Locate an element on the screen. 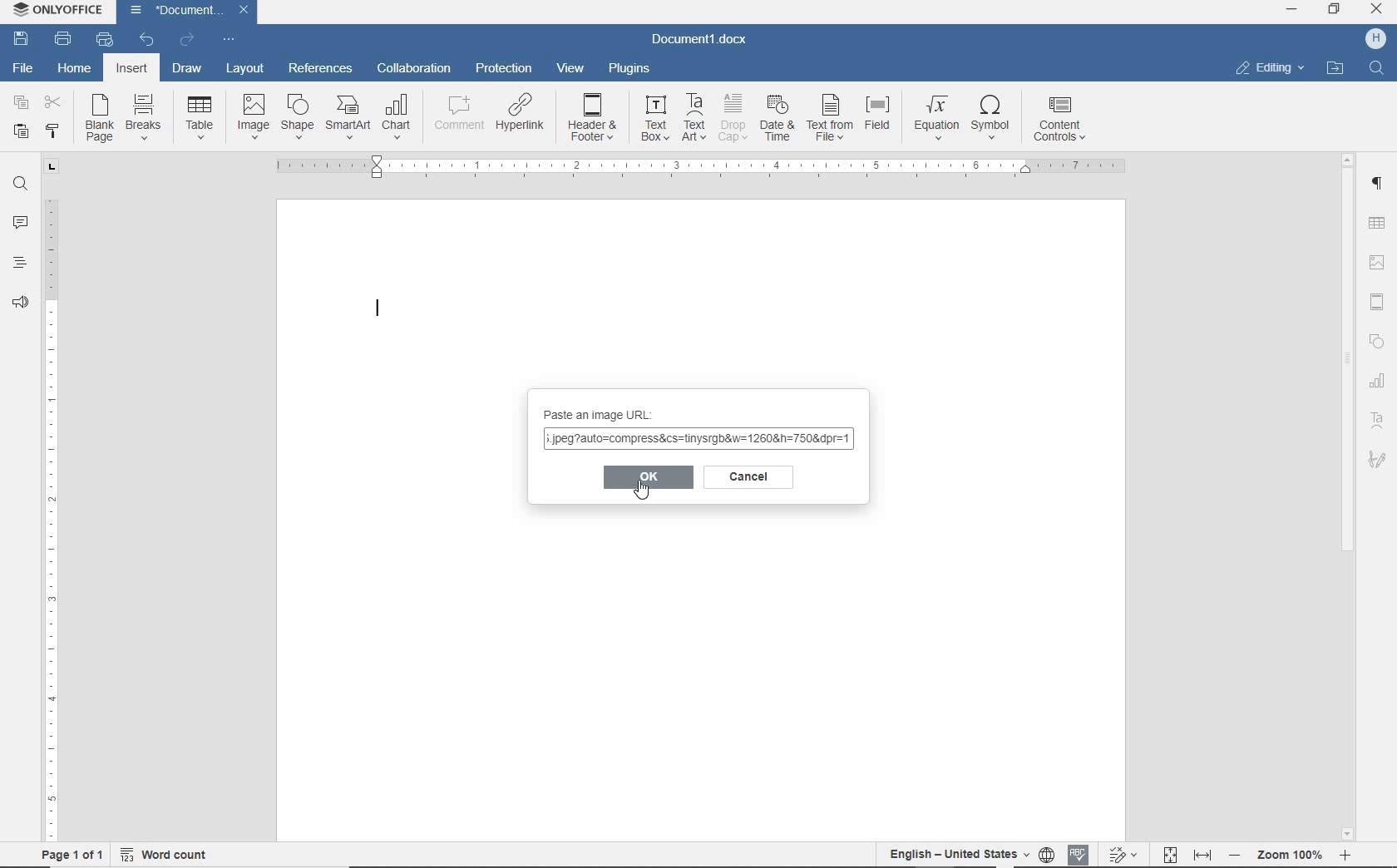 The height and width of the screenshot is (868, 1397). signature is located at coordinates (1380, 461).